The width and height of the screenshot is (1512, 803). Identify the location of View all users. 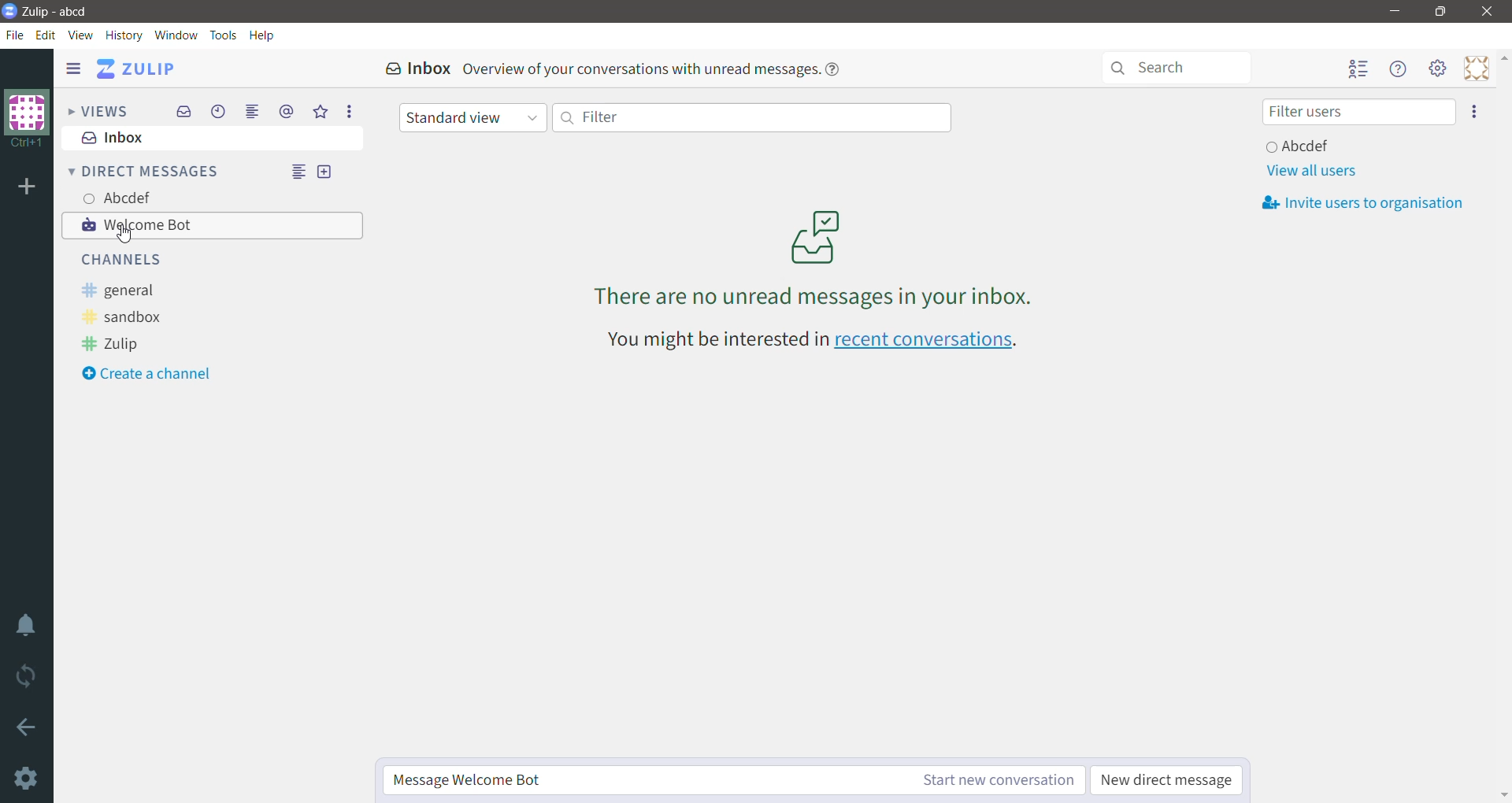
(1311, 171).